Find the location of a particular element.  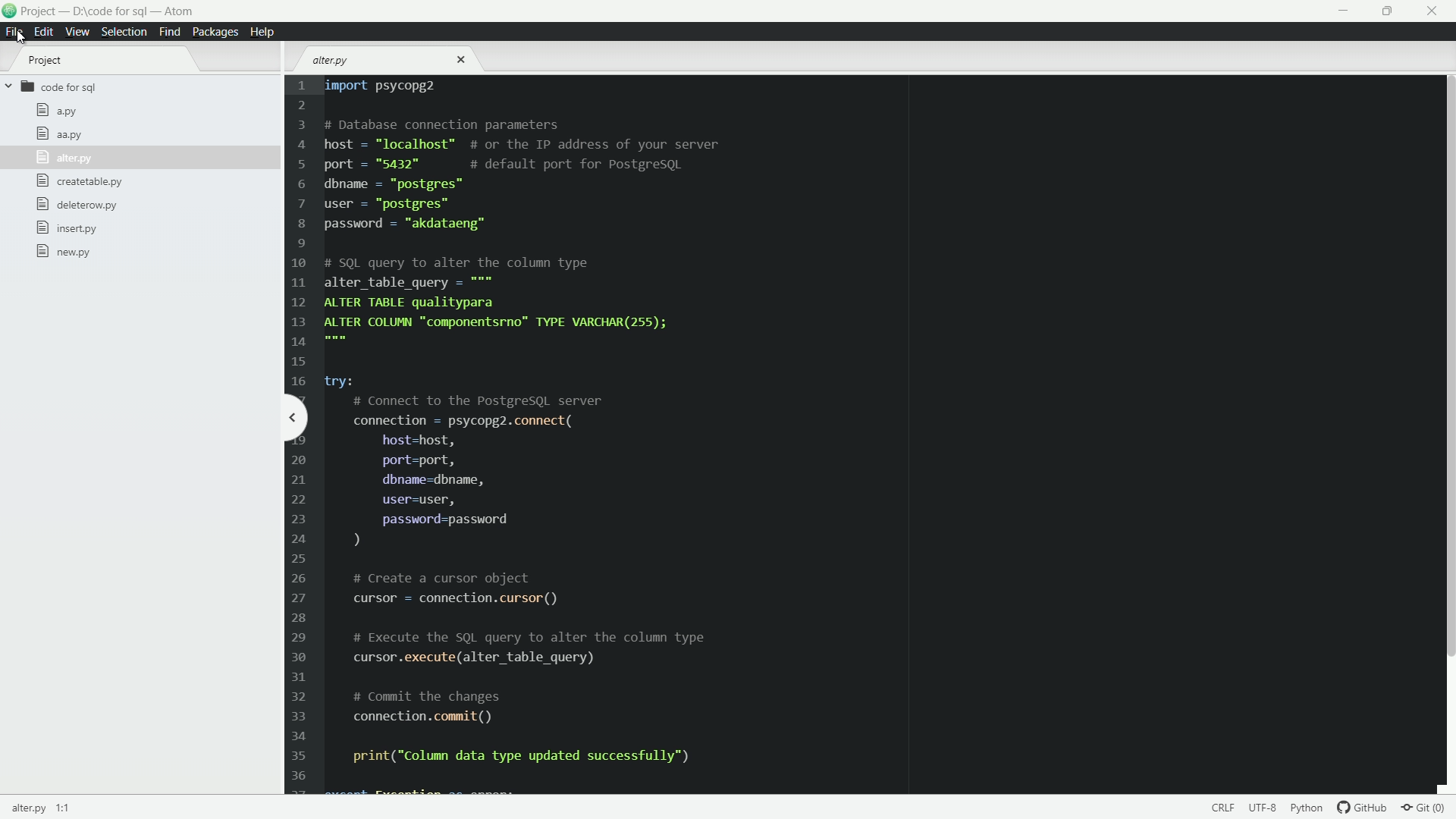

edit menu is located at coordinates (44, 32).